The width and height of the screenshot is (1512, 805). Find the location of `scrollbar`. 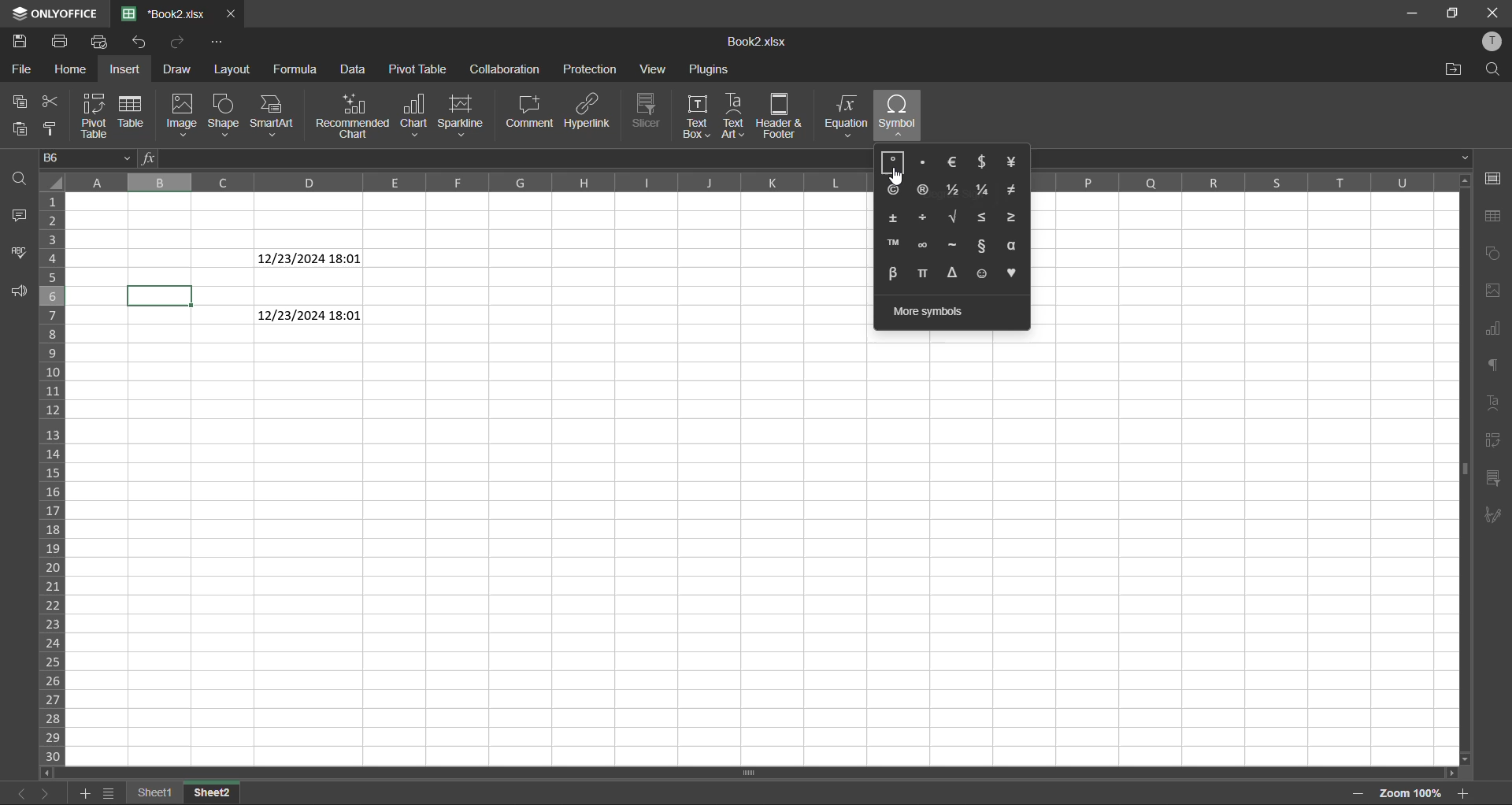

scrollbar is located at coordinates (1464, 469).